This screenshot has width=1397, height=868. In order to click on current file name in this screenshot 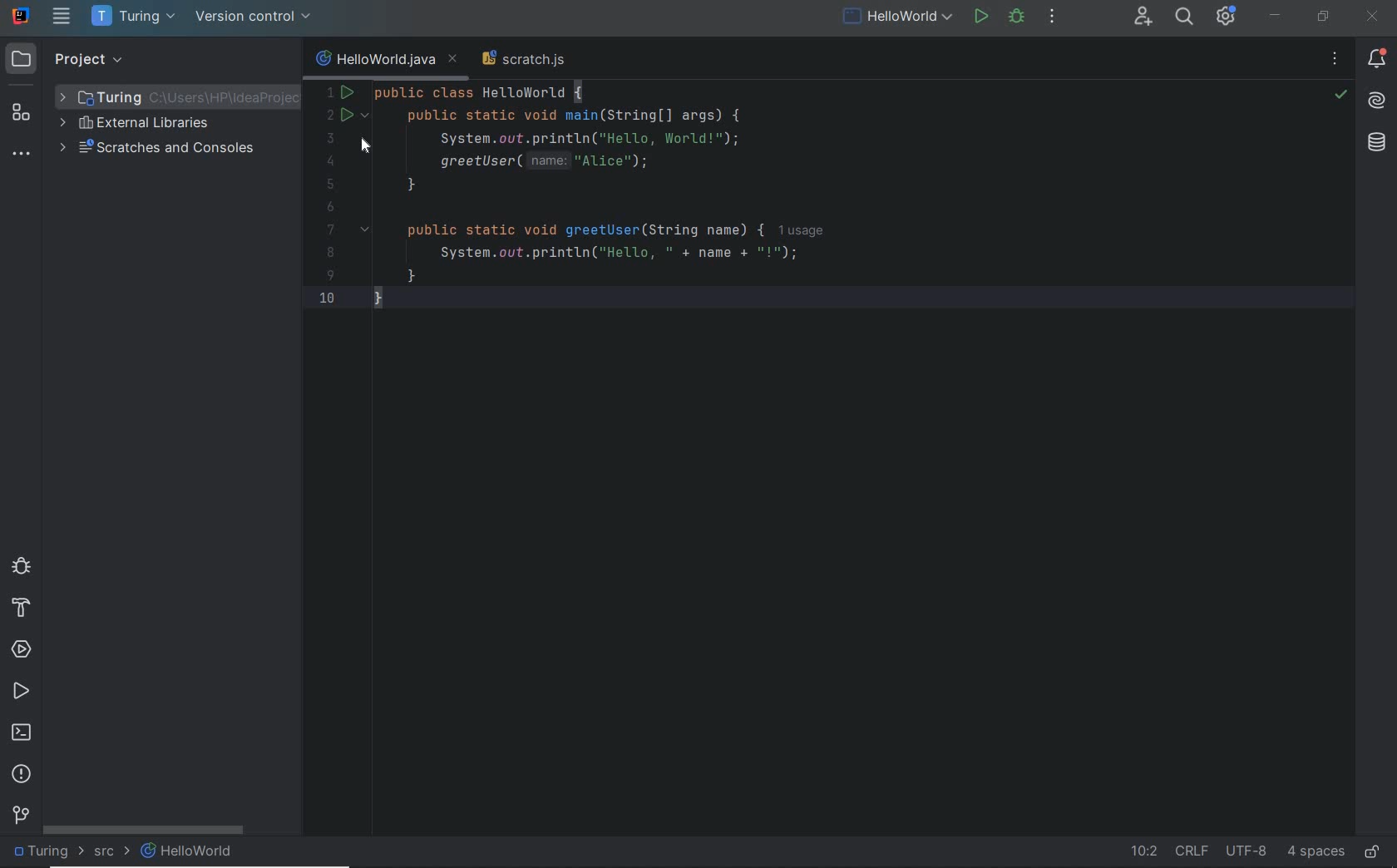, I will do `click(385, 60)`.